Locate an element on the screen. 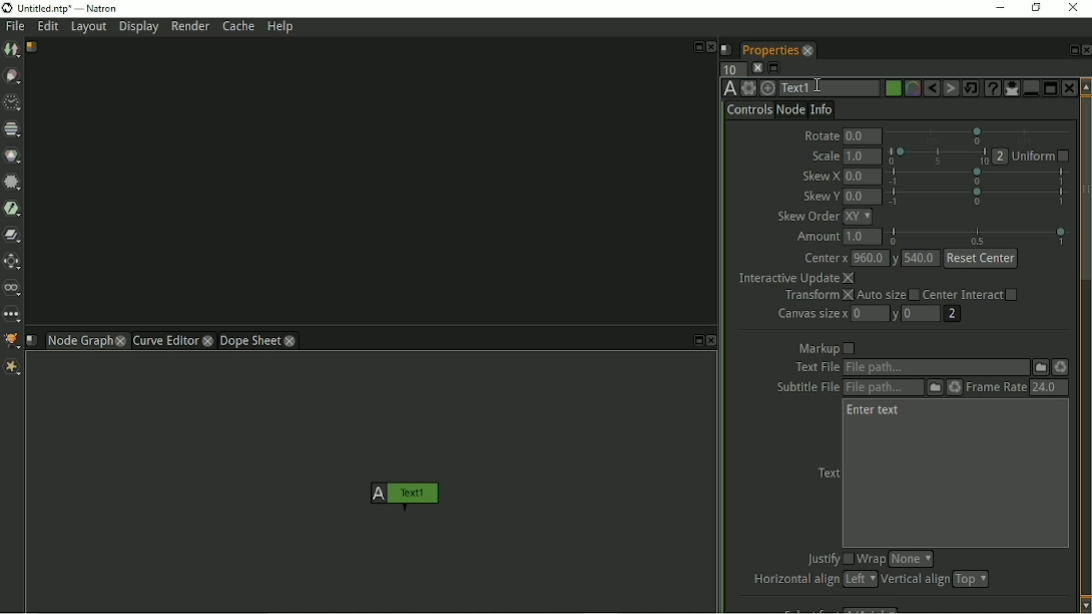  Skew X is located at coordinates (820, 177).